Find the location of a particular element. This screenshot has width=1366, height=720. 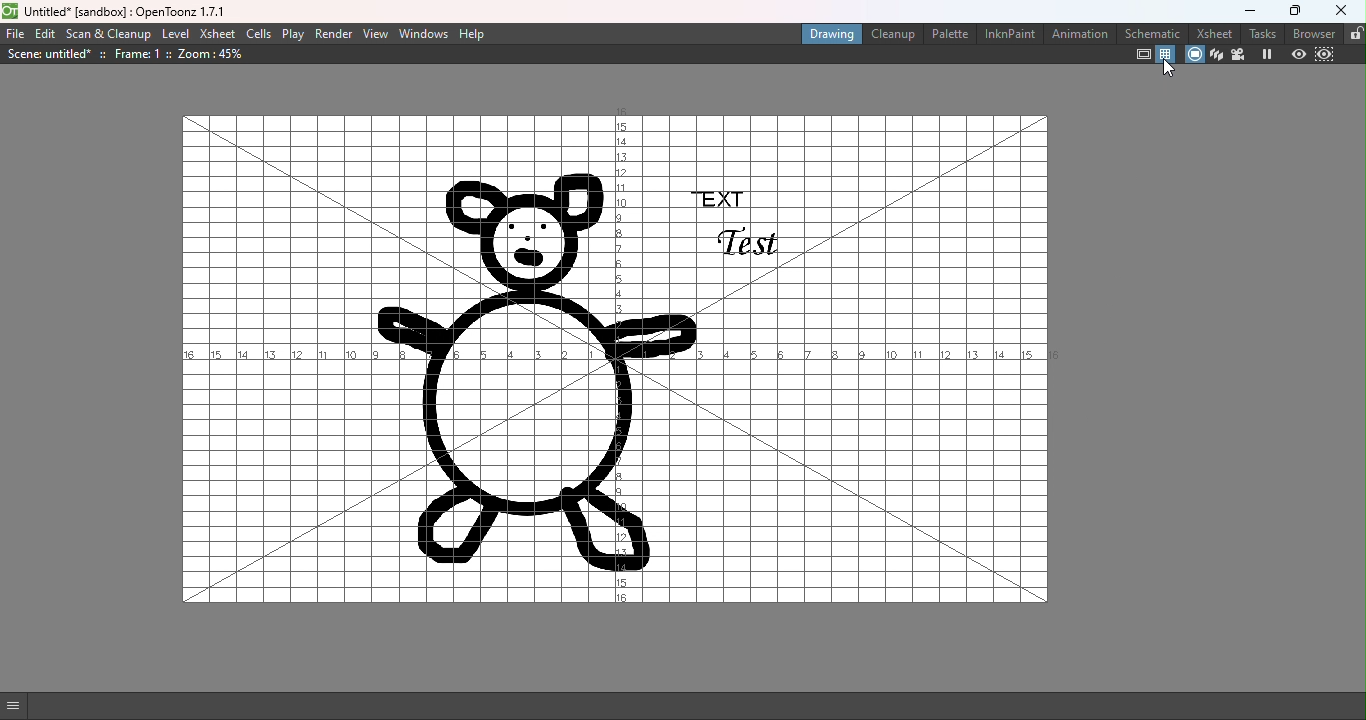

Maximize is located at coordinates (1289, 13).